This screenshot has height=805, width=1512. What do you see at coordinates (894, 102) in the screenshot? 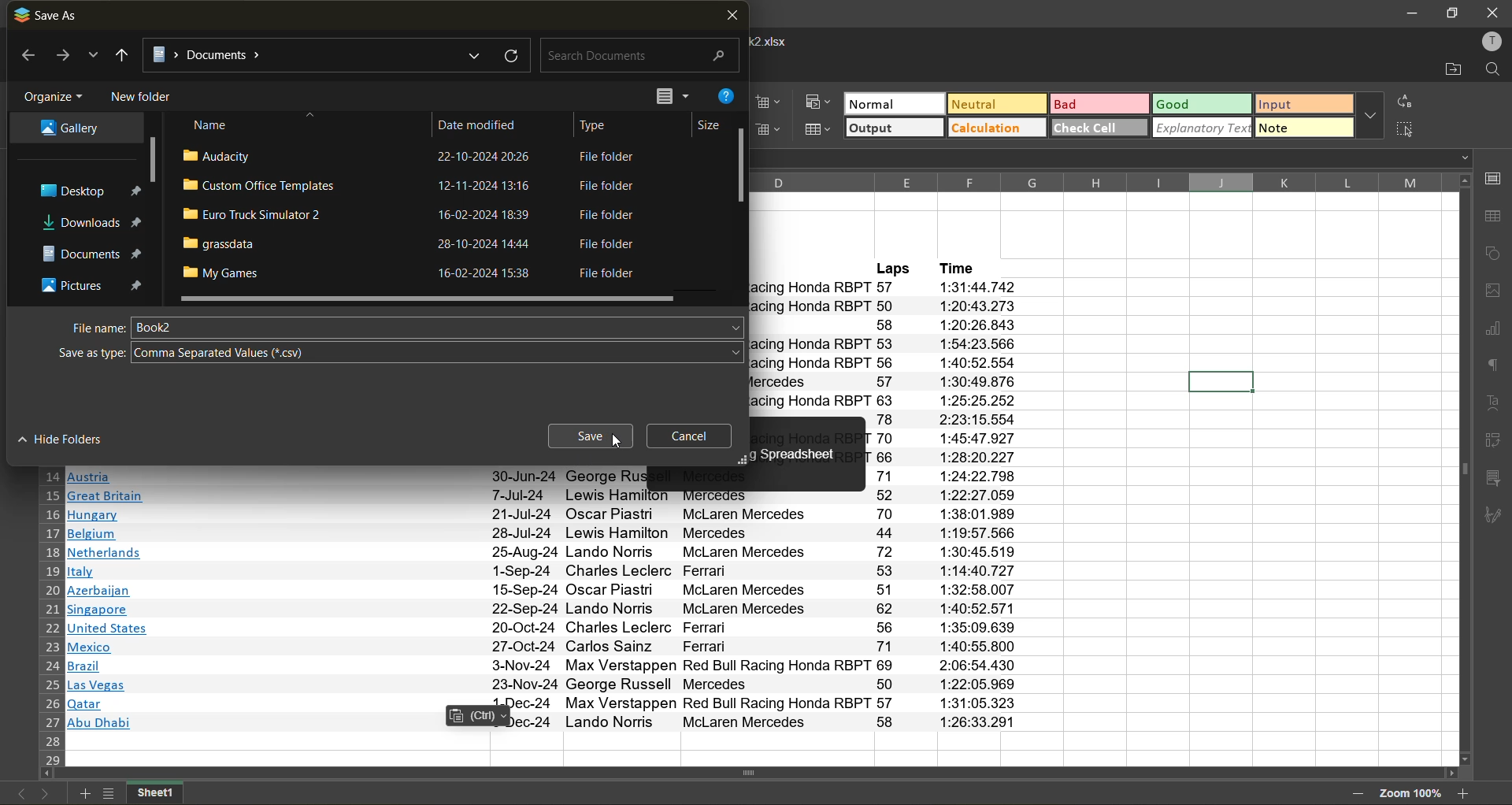
I see `normal` at bounding box center [894, 102].